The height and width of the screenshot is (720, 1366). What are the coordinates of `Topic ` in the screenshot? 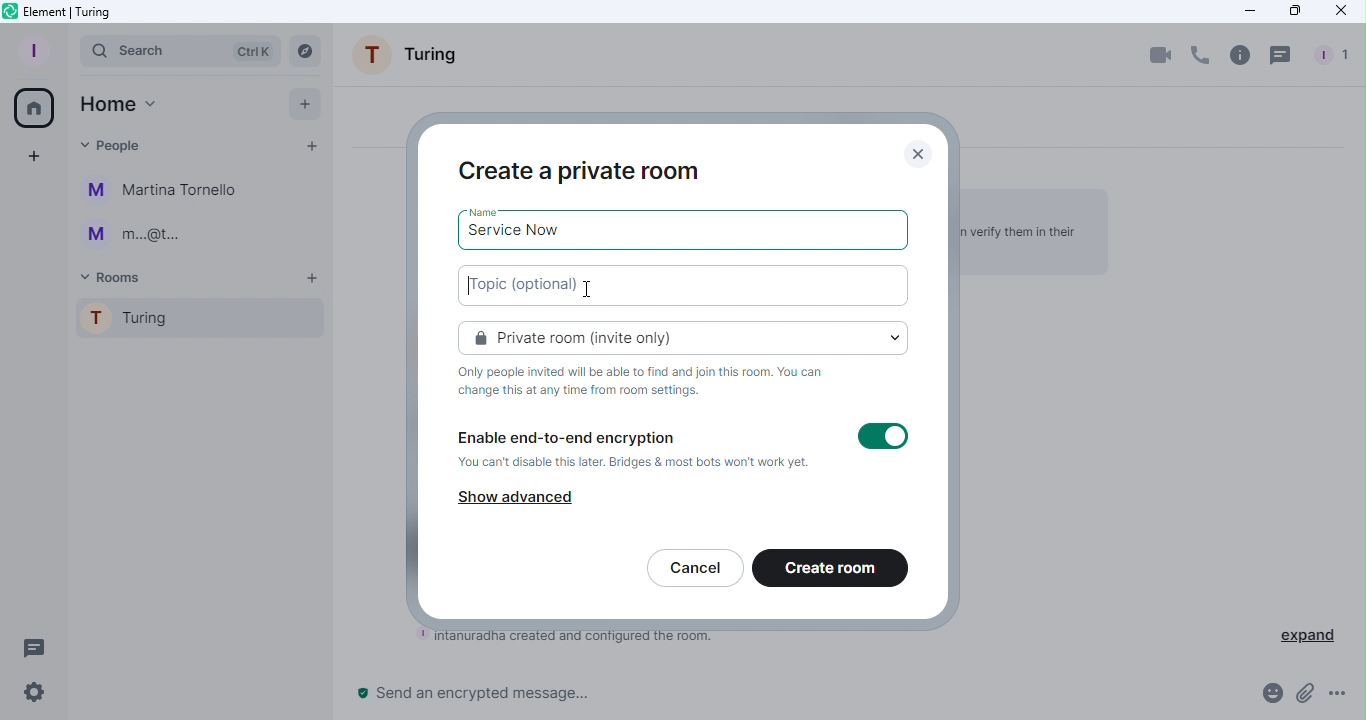 It's located at (695, 284).